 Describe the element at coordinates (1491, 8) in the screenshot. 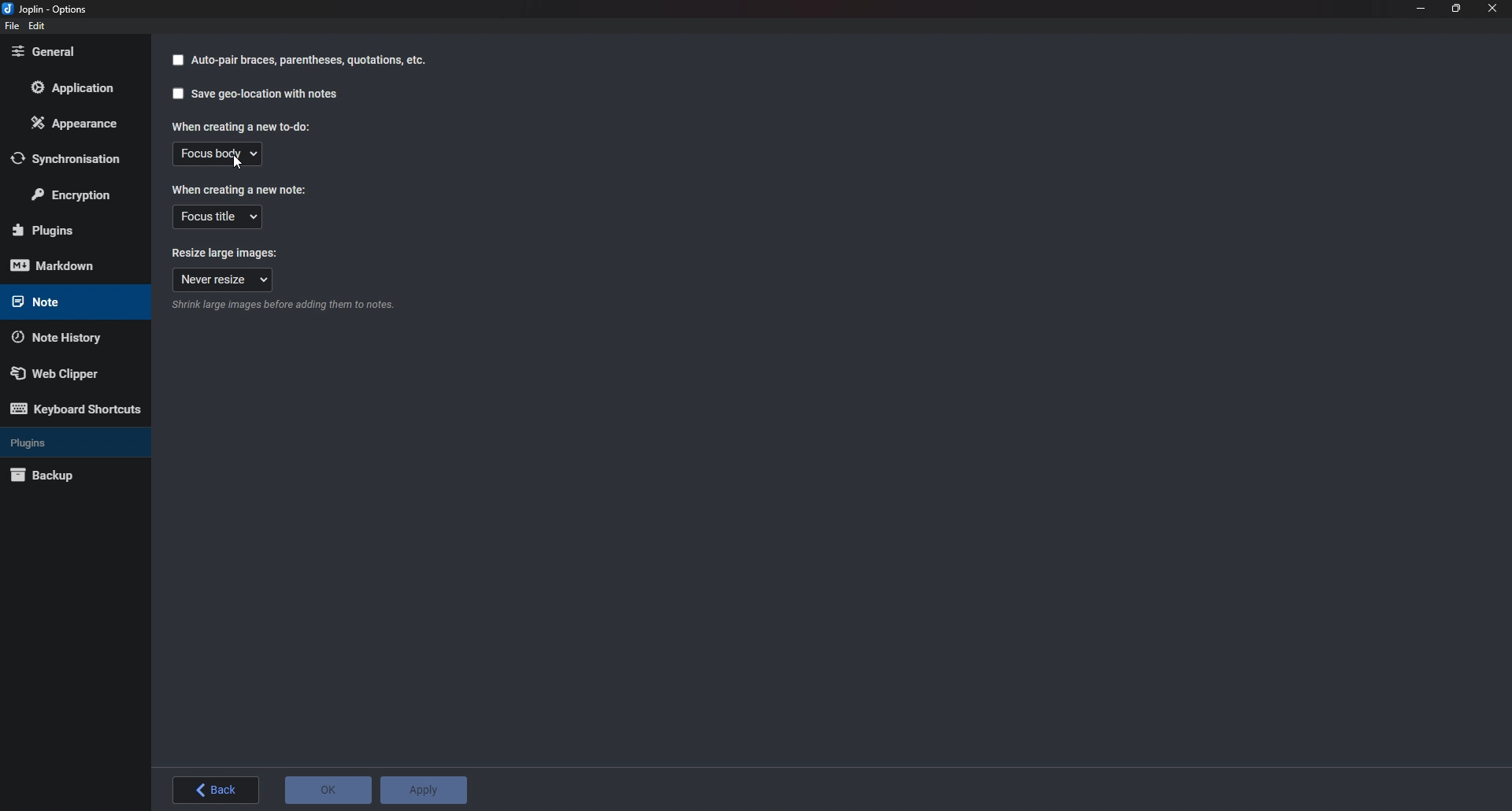

I see `close` at that location.